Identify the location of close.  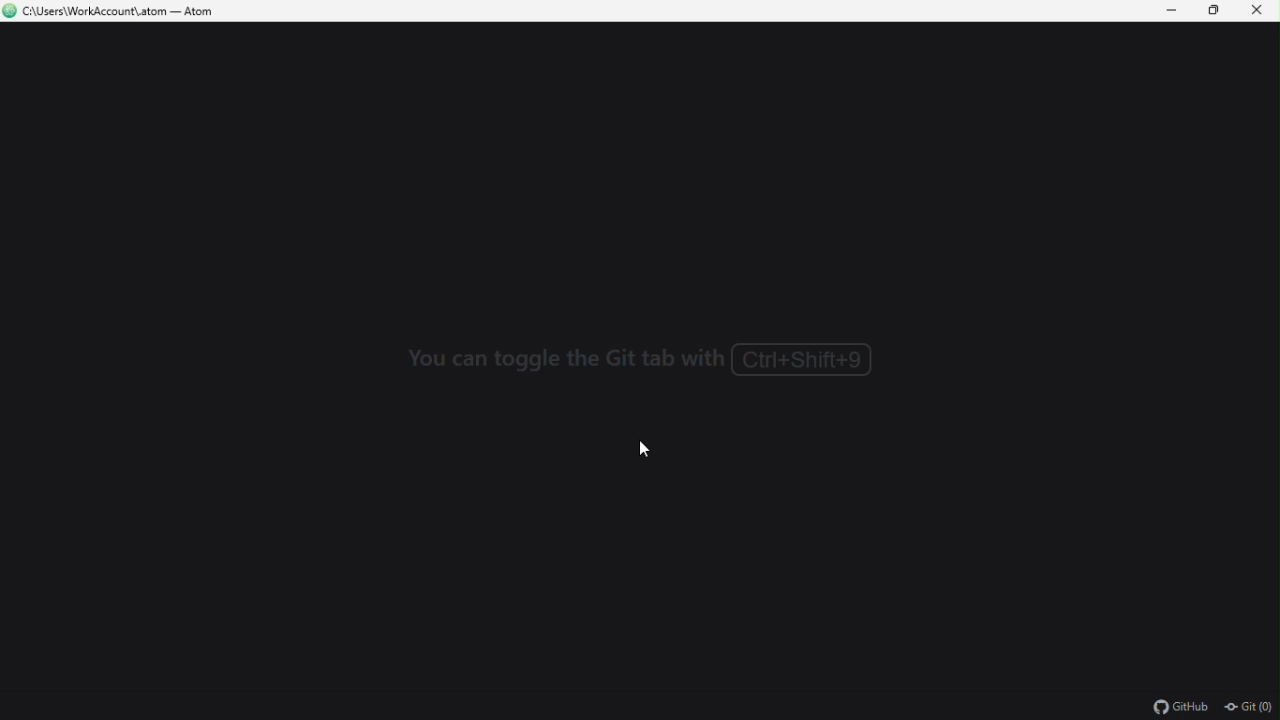
(1260, 12).